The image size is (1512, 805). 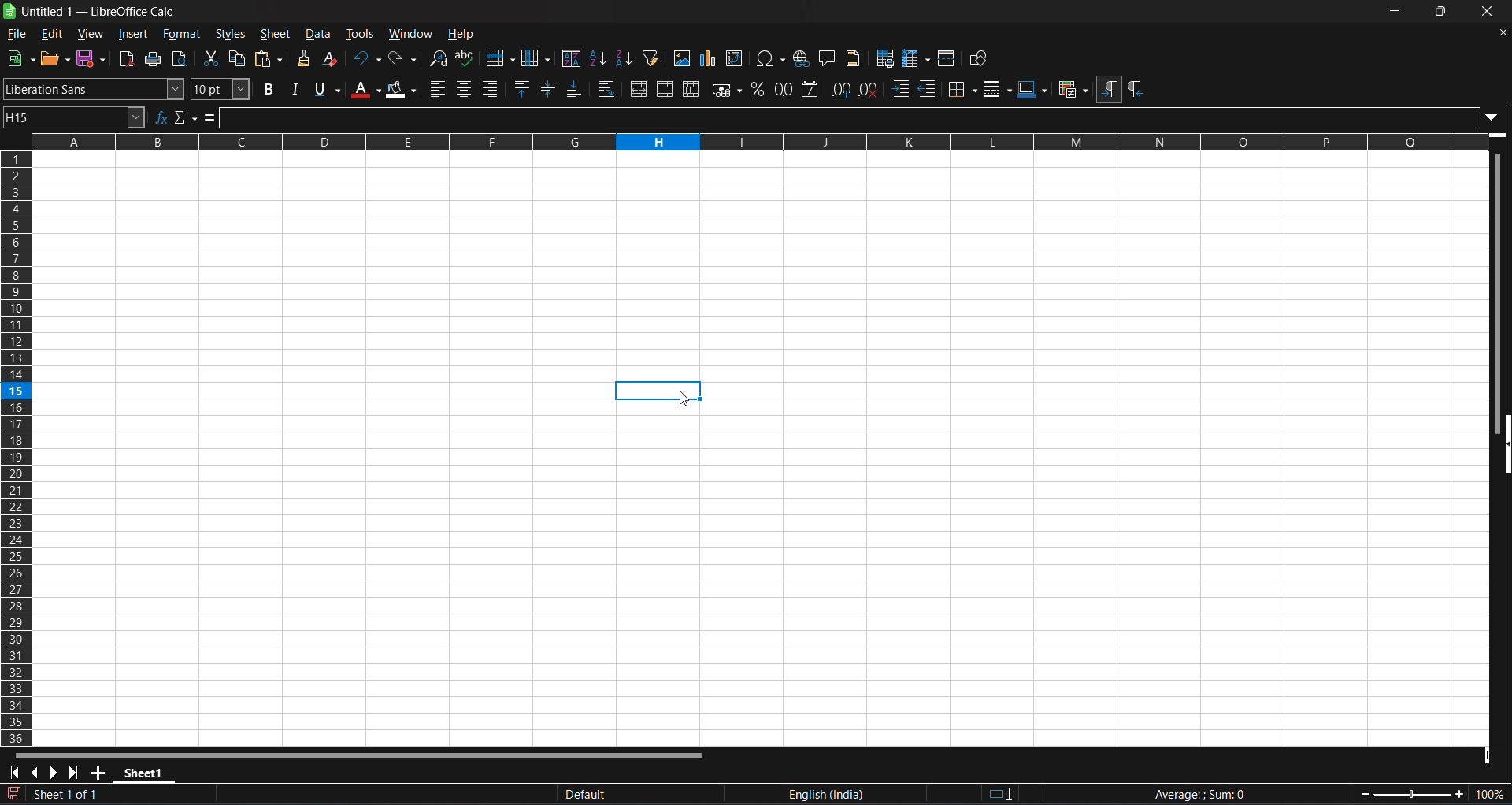 What do you see at coordinates (462, 35) in the screenshot?
I see `help` at bounding box center [462, 35].